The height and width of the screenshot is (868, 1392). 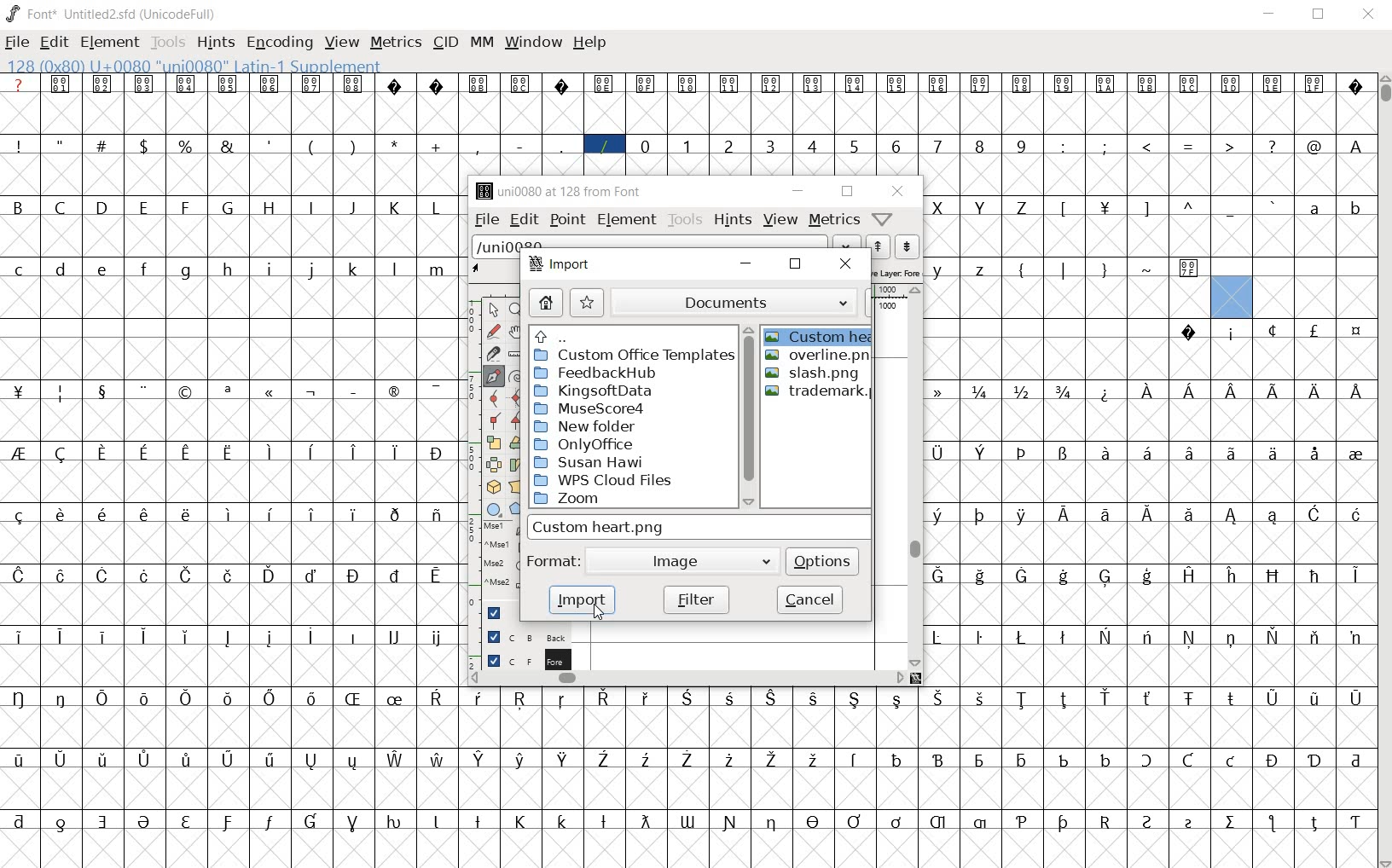 I want to click on glyph, so click(x=1064, y=270).